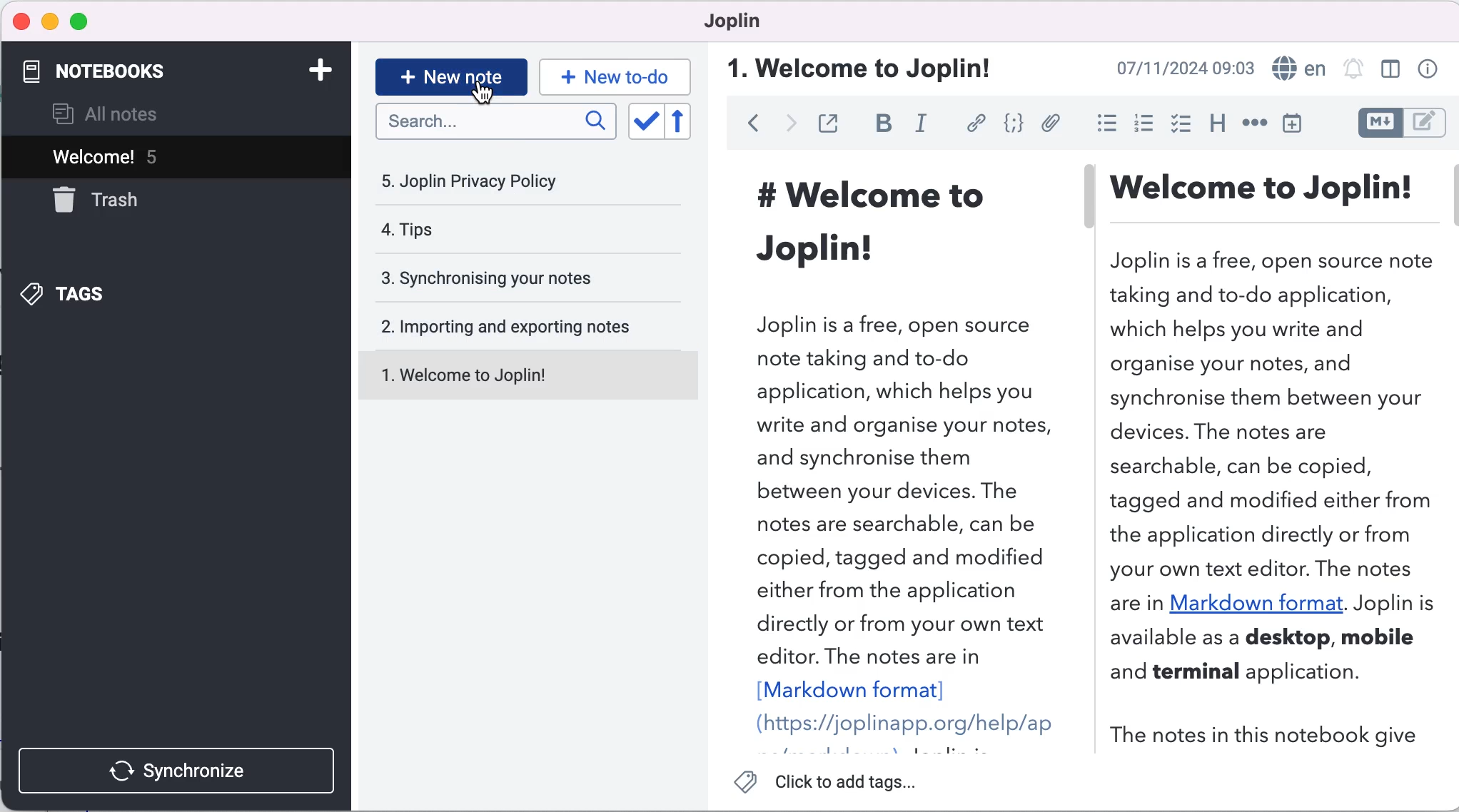 Image resolution: width=1459 pixels, height=812 pixels. I want to click on cursor, so click(484, 95).